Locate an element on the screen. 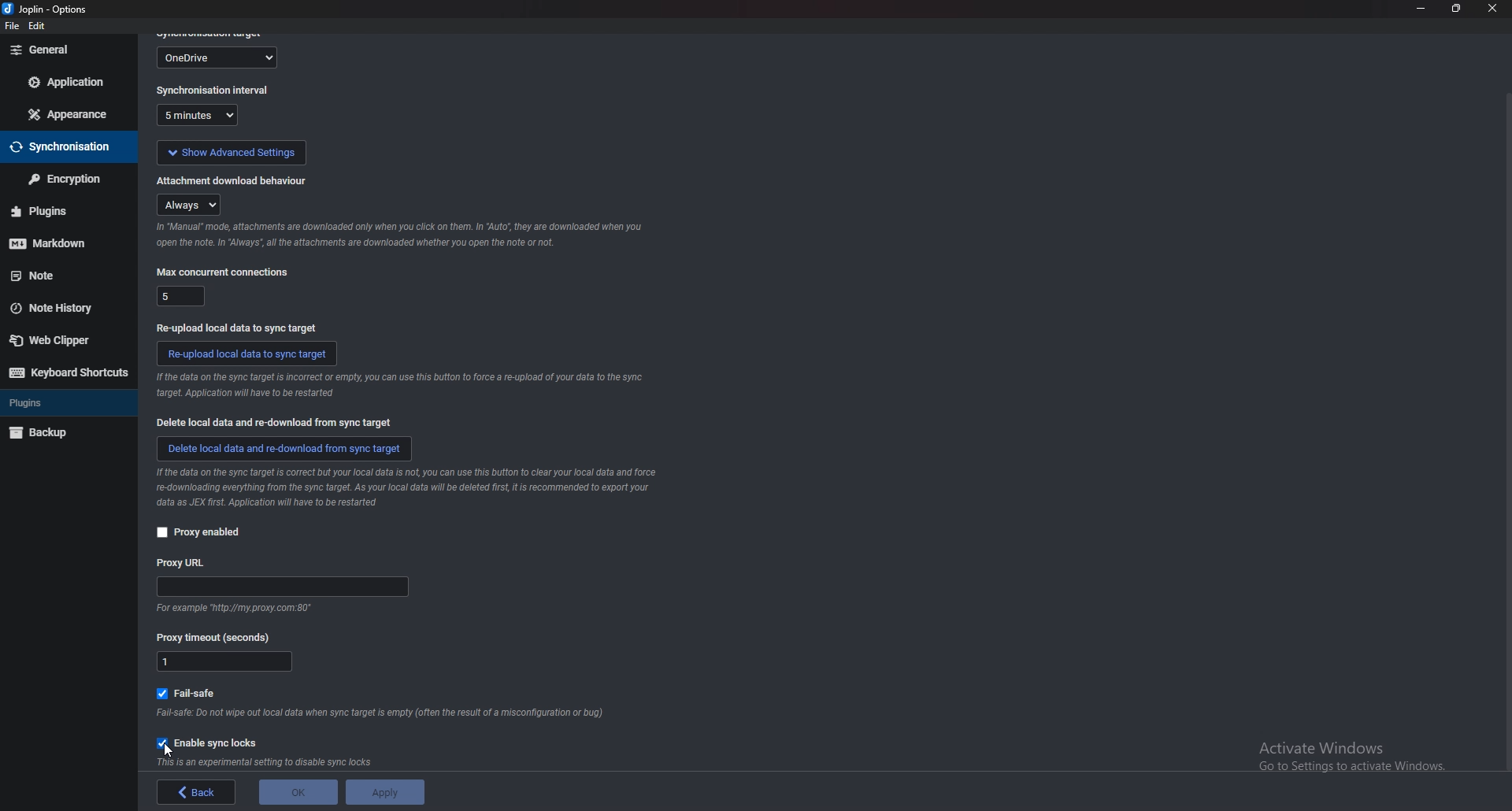 This screenshot has width=1512, height=811. delete local data is located at coordinates (284, 447).